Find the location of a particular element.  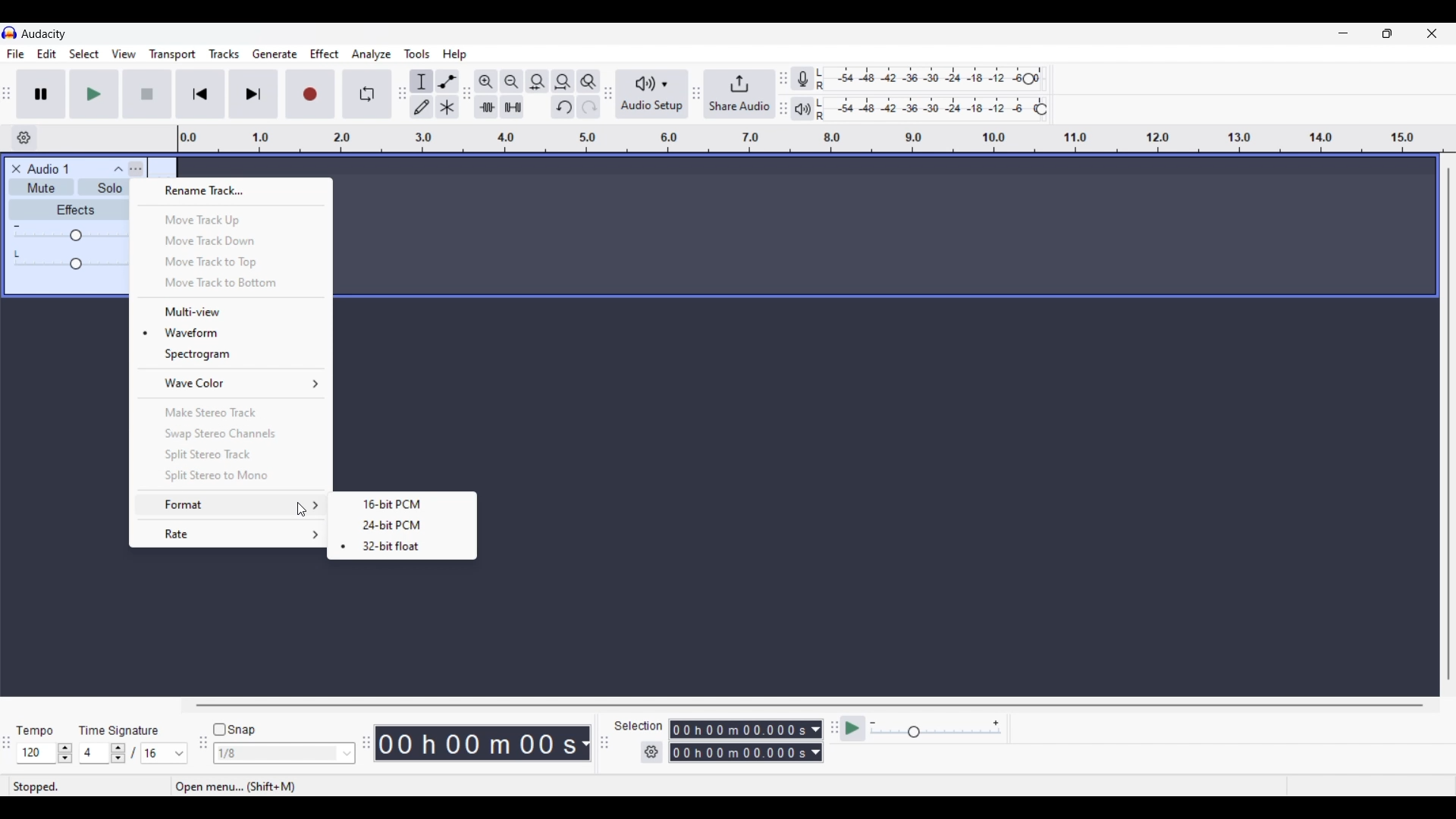

32 bit format option is located at coordinates (401, 547).